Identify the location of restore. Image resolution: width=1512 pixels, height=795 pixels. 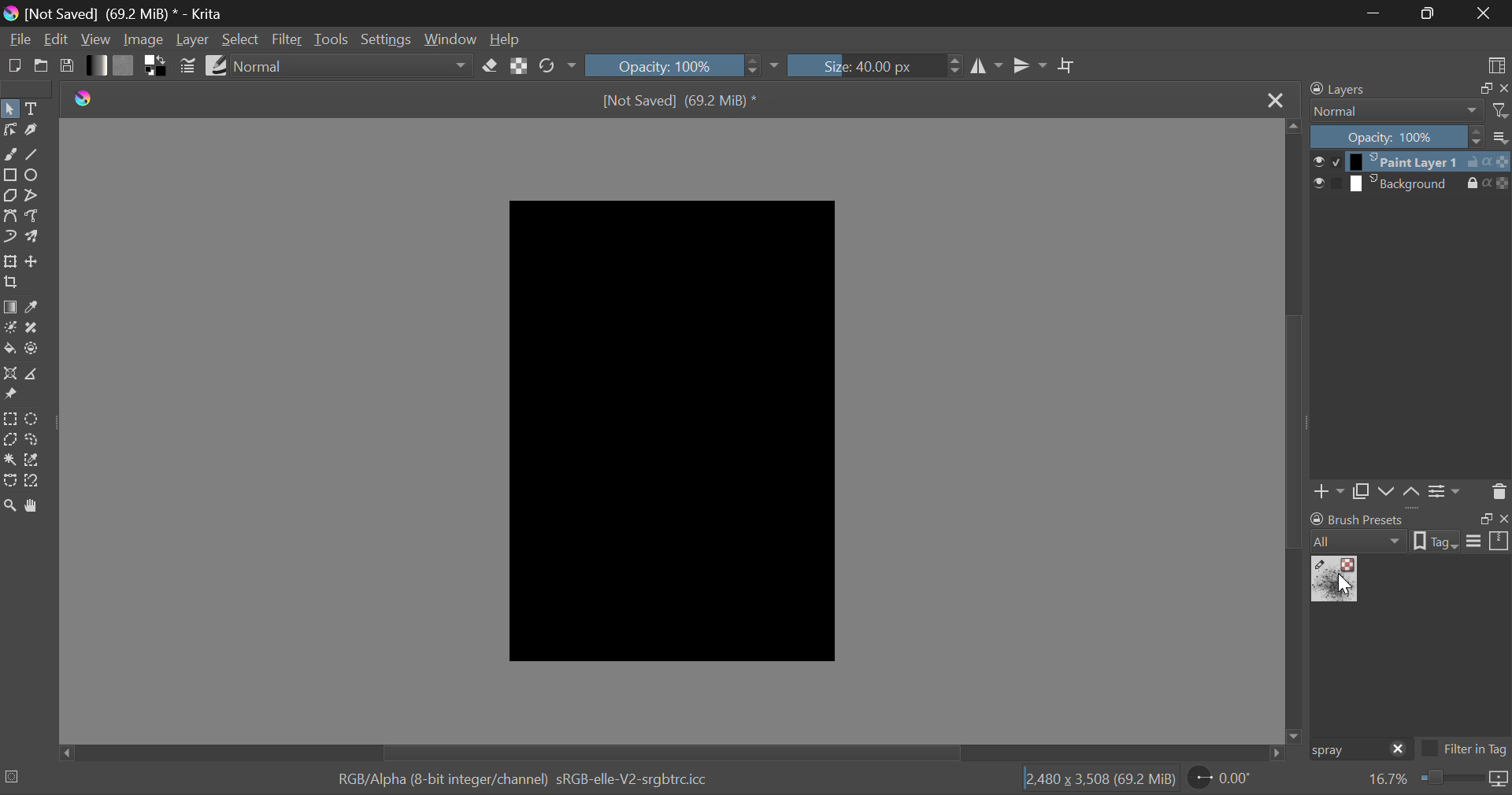
(1483, 519).